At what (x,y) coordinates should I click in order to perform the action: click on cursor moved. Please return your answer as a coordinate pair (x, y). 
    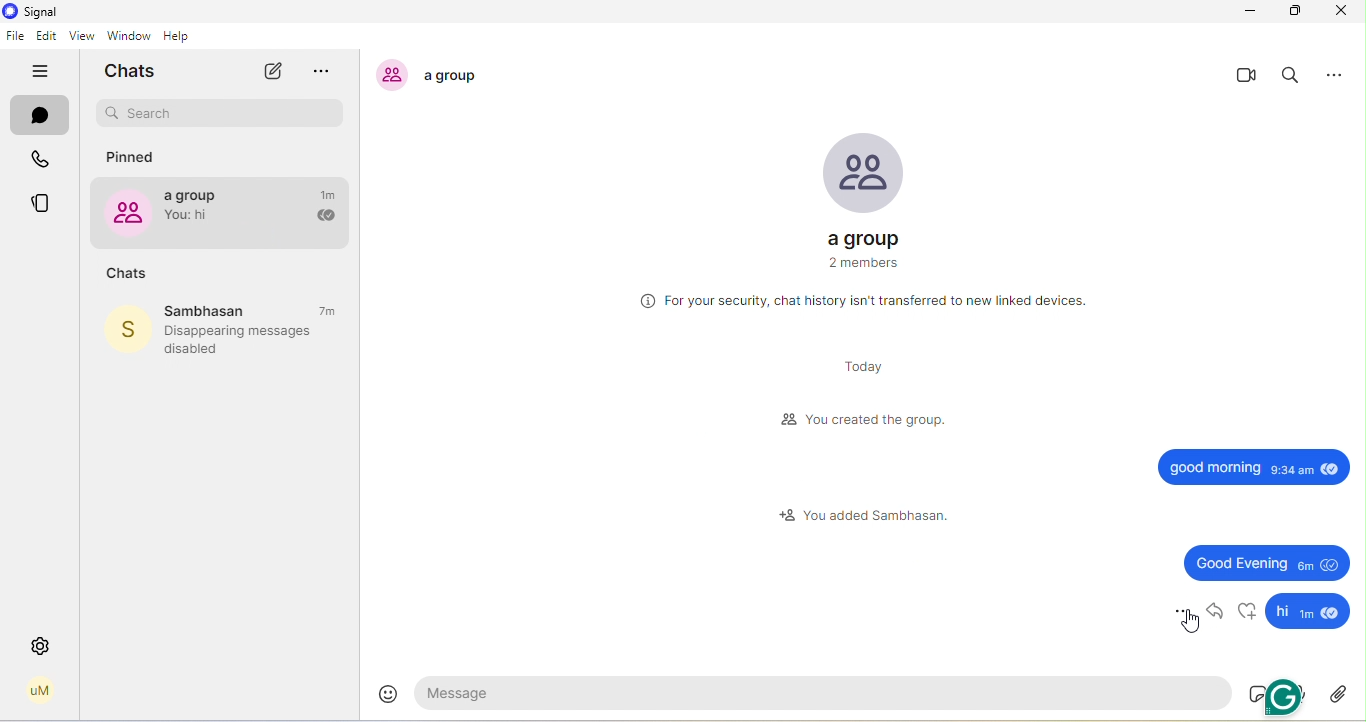
    Looking at the image, I should click on (1191, 621).